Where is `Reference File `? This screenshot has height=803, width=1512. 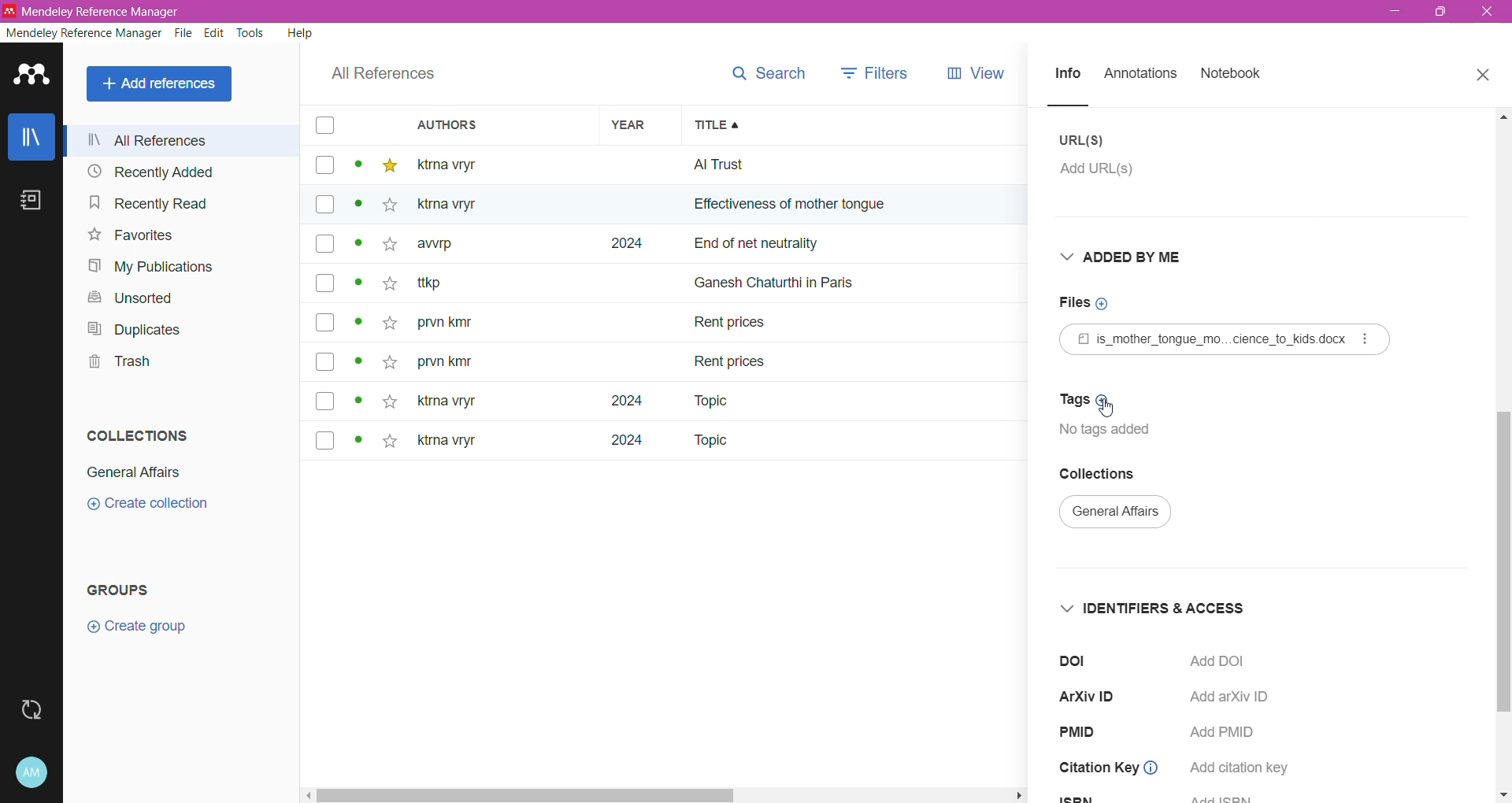 Reference File  is located at coordinates (1225, 339).